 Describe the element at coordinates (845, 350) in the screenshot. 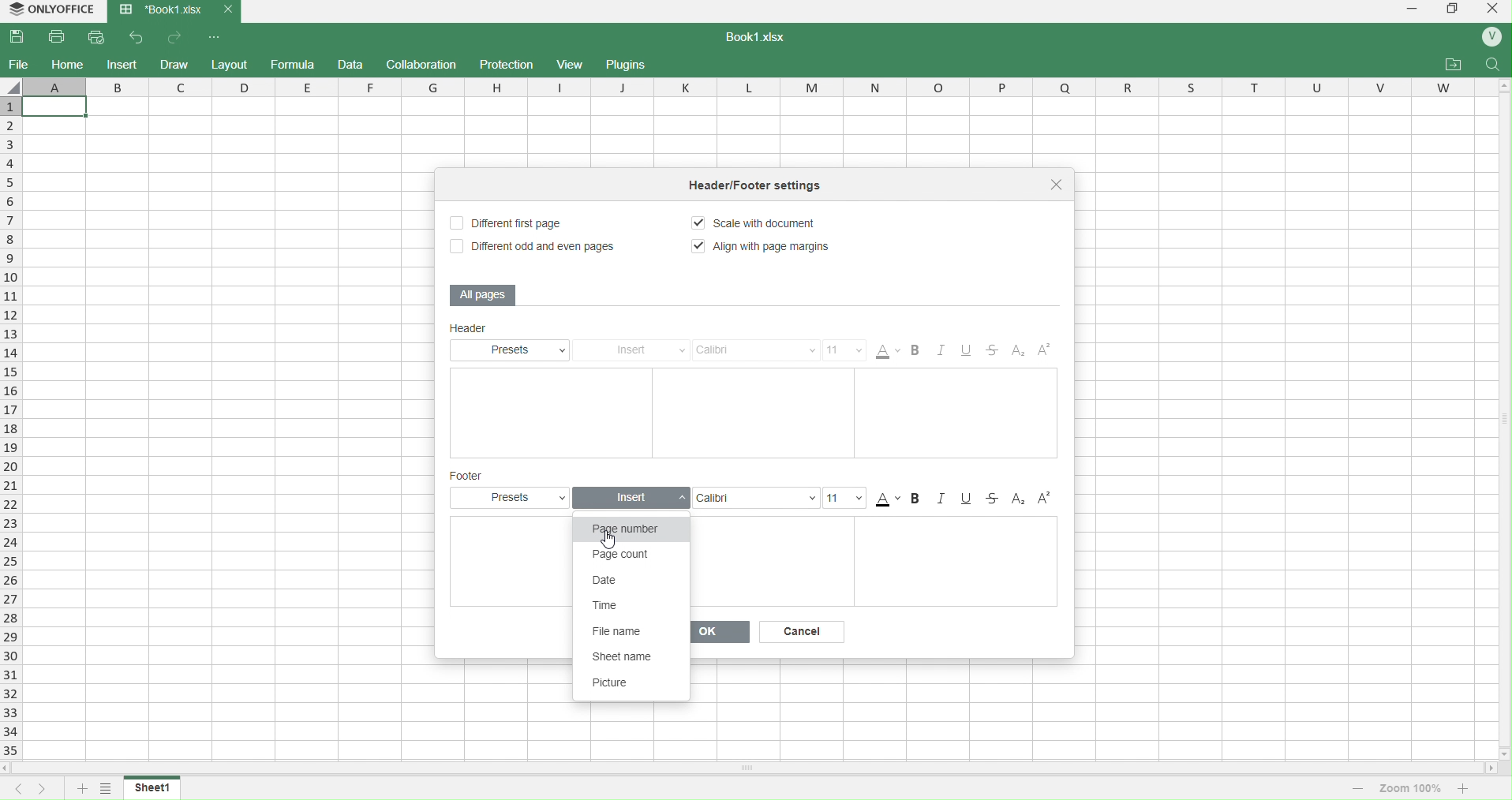

I see `Size` at that location.